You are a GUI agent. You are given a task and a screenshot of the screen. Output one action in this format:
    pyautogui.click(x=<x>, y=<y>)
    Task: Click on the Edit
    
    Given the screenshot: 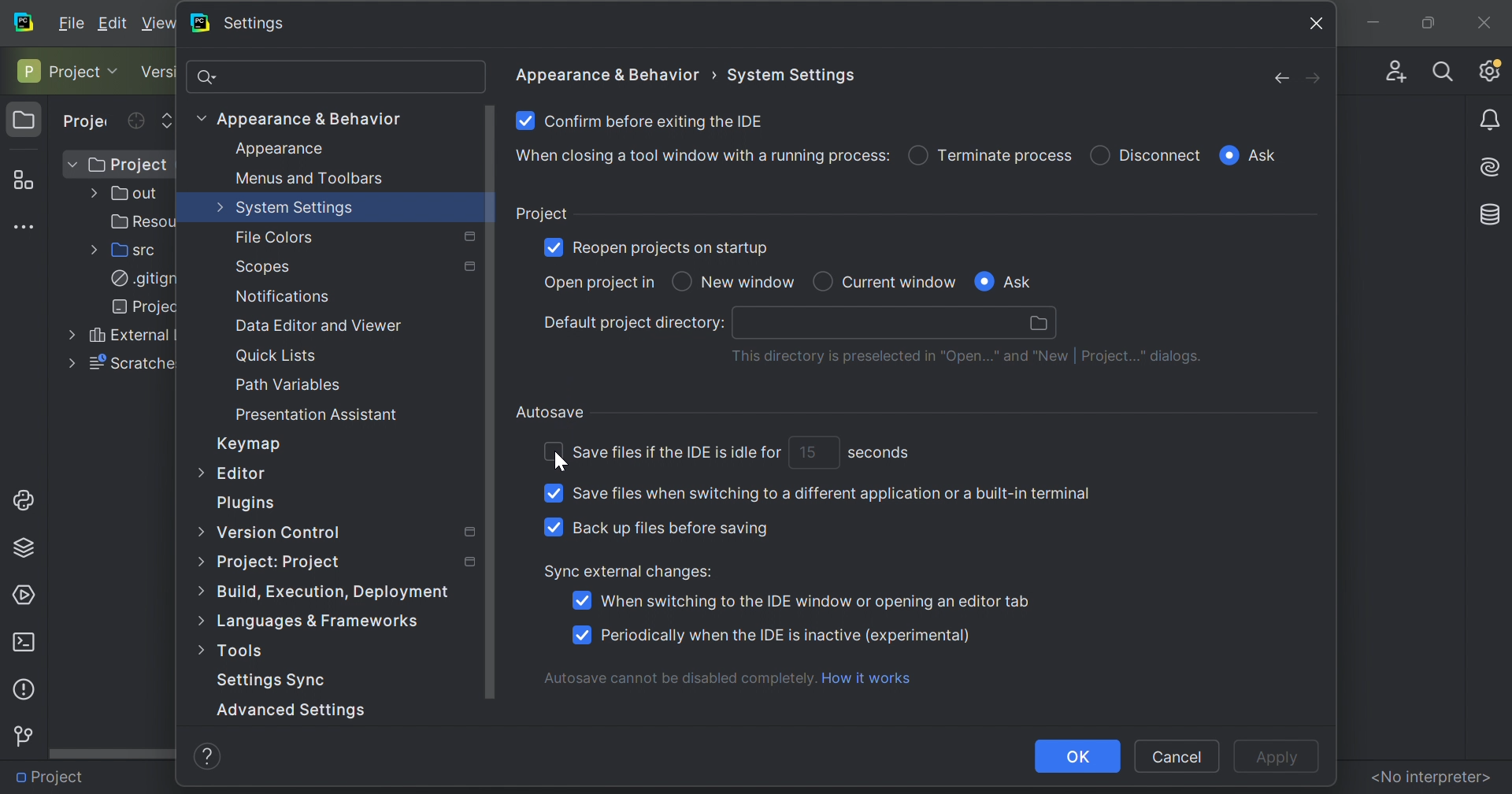 What is the action you would take?
    pyautogui.click(x=116, y=23)
    